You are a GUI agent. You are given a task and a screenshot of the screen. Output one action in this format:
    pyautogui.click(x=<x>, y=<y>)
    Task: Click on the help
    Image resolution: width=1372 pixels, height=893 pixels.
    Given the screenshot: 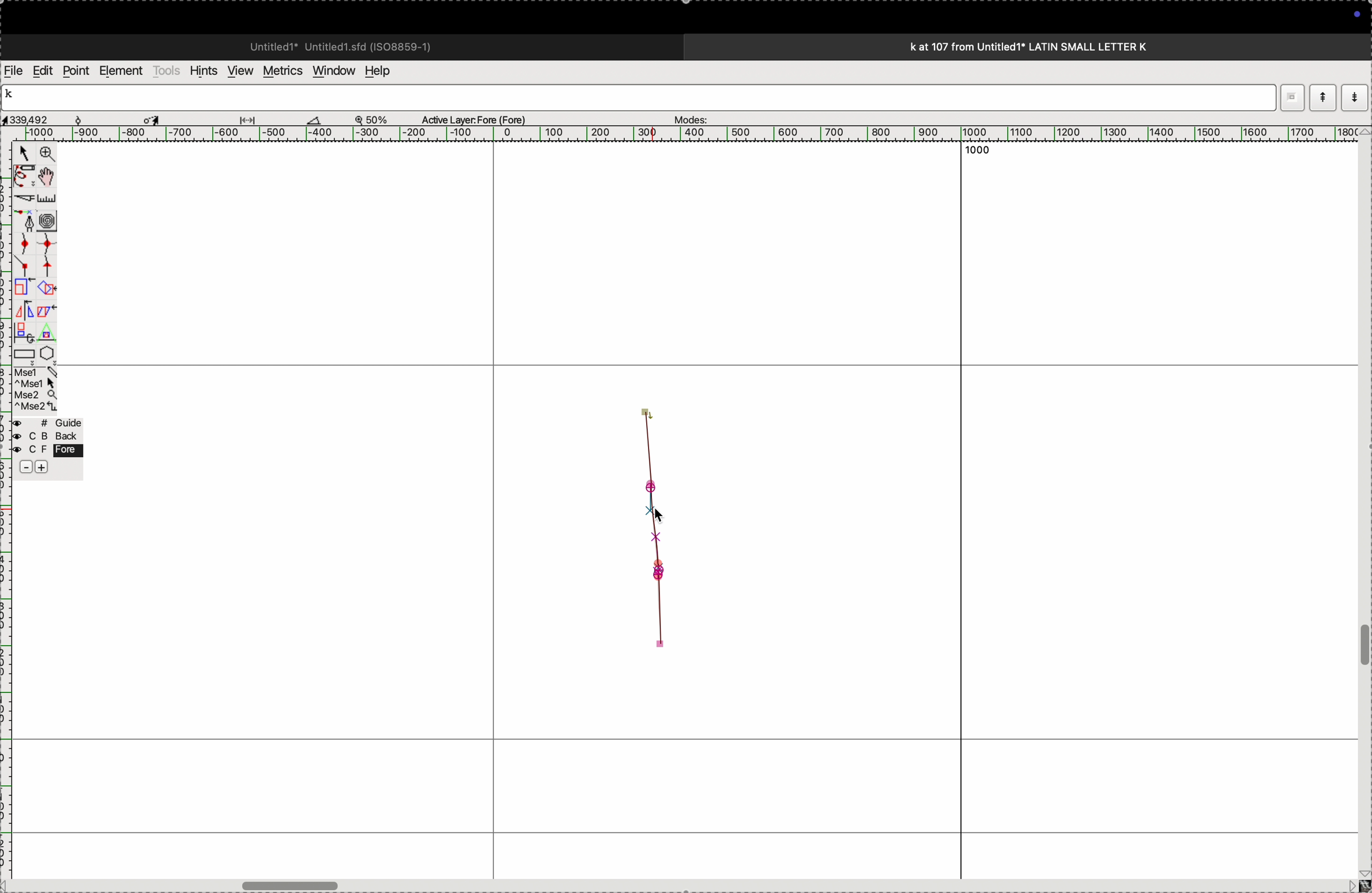 What is the action you would take?
    pyautogui.click(x=385, y=71)
    